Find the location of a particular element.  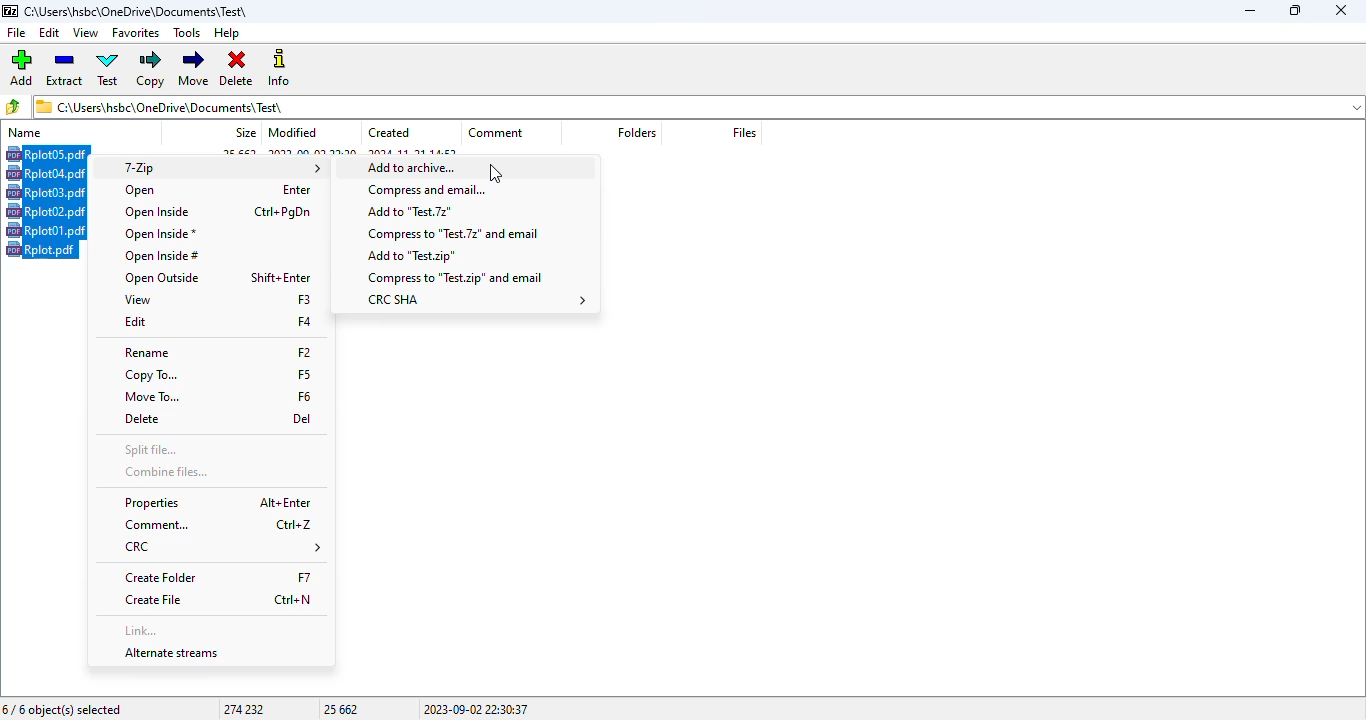

current folder is located at coordinates (698, 106).